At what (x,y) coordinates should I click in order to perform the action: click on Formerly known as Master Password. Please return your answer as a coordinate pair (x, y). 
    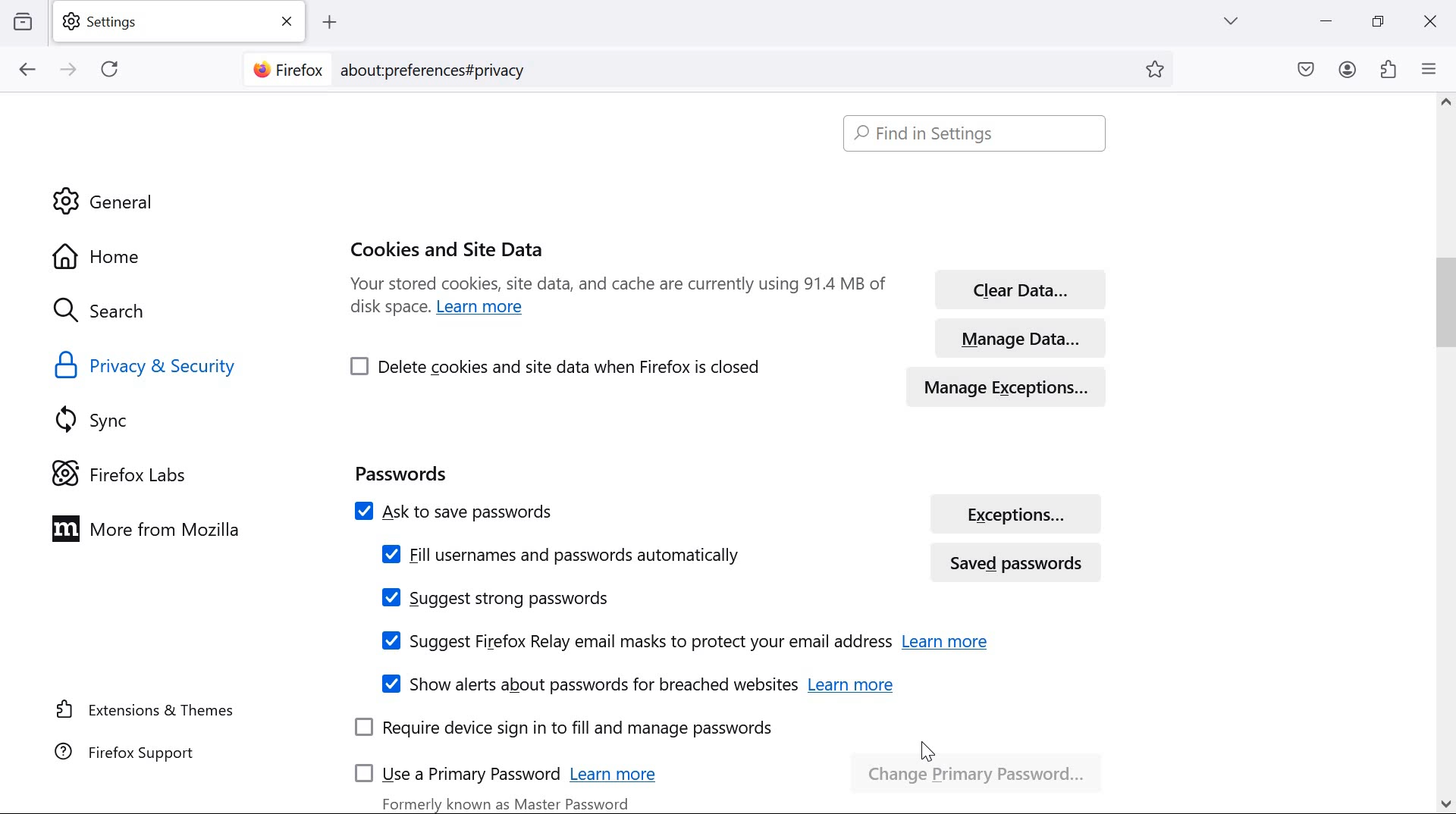
    Looking at the image, I should click on (508, 801).